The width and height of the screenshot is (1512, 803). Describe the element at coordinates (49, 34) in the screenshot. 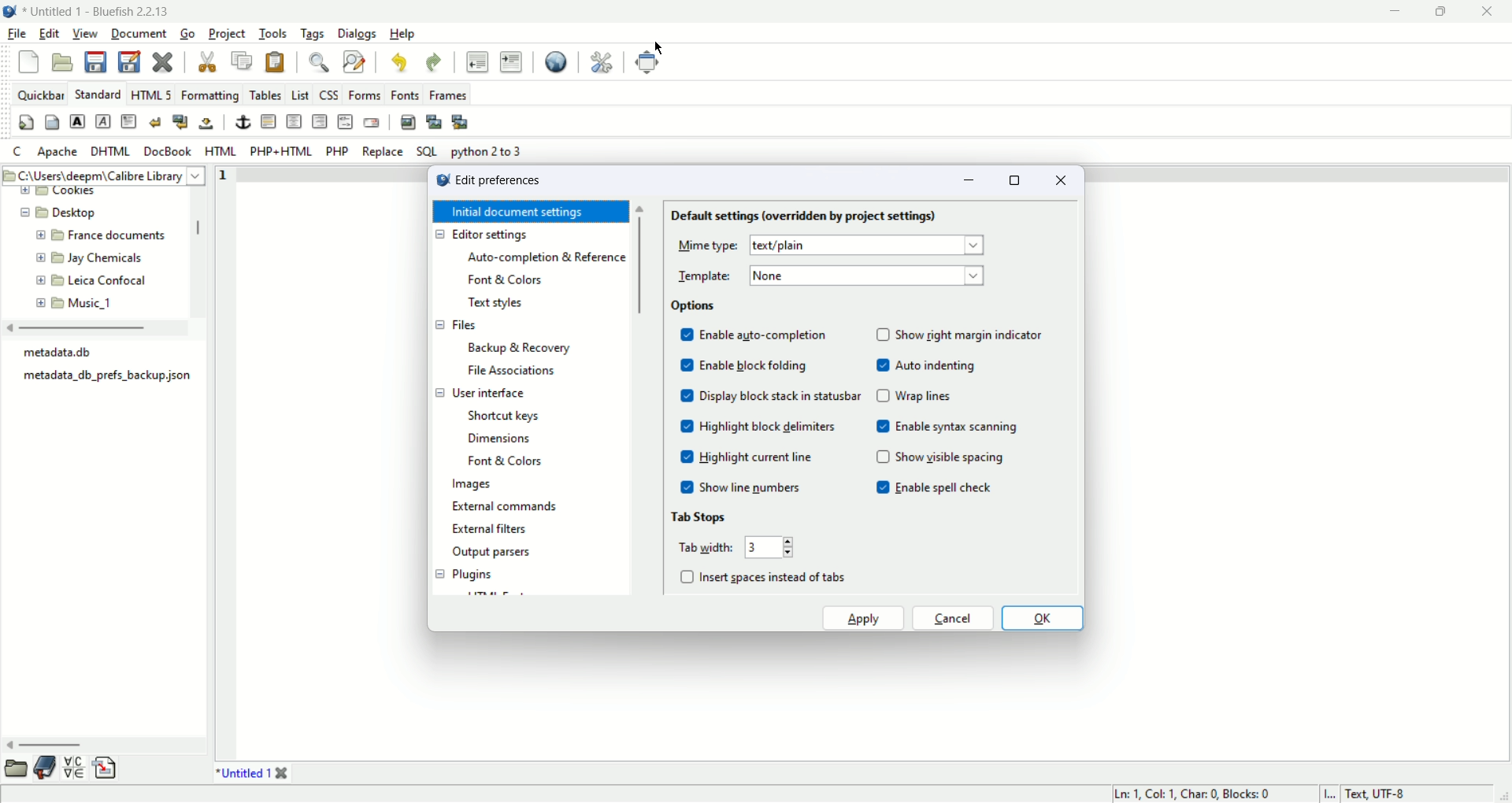

I see `edit` at that location.